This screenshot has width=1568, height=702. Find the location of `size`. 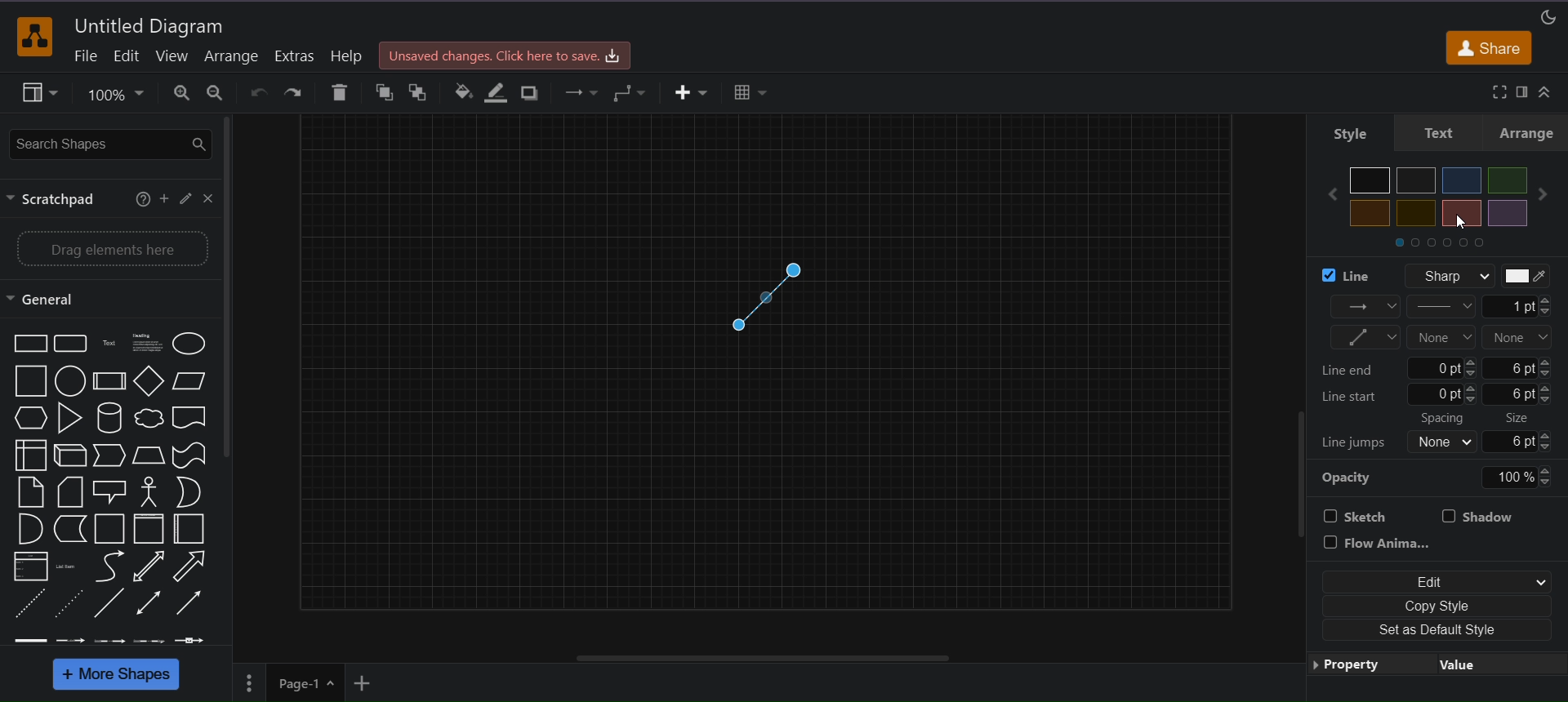

size is located at coordinates (1533, 432).